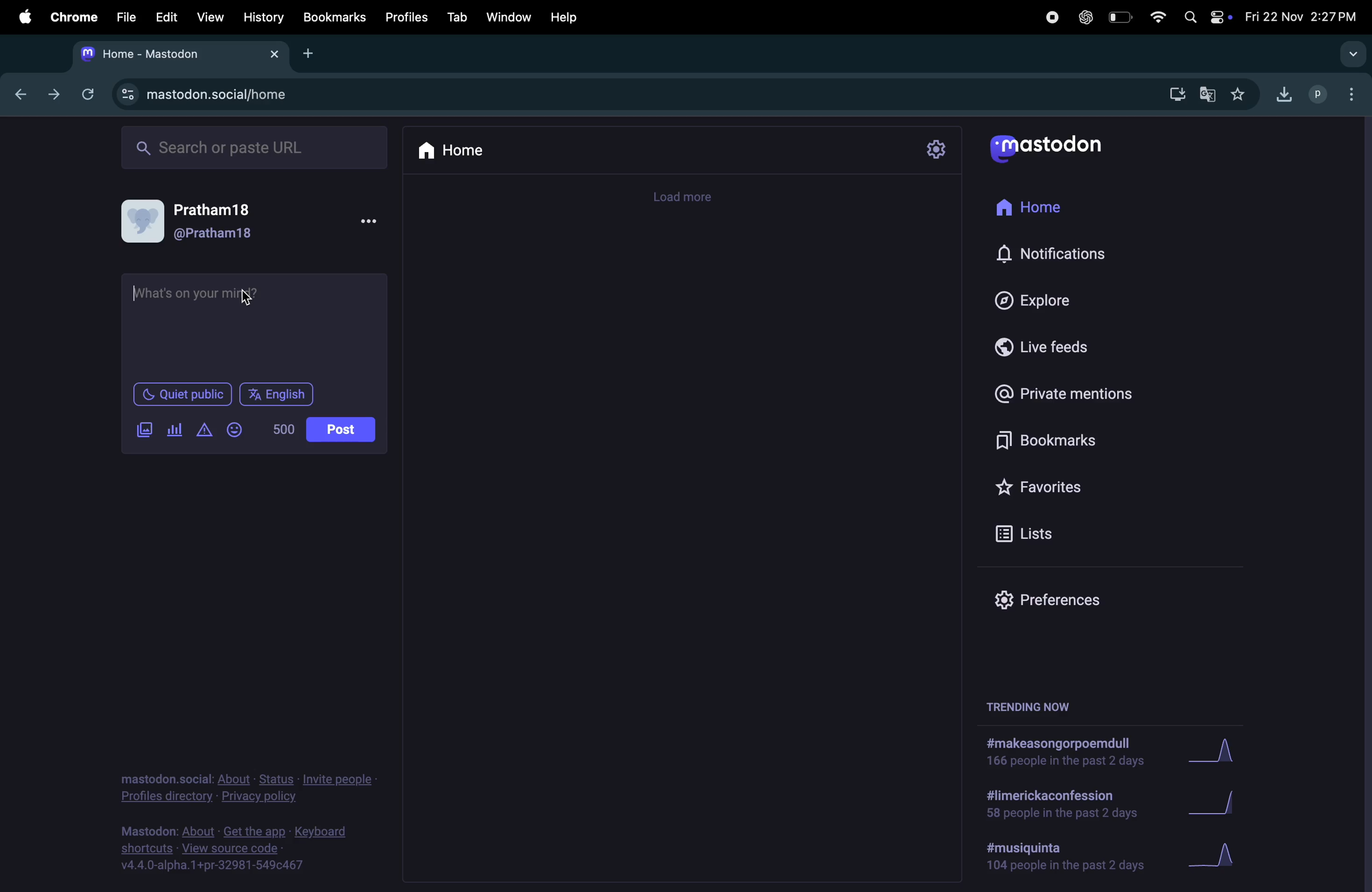 Image resolution: width=1372 pixels, height=892 pixels. What do you see at coordinates (1220, 856) in the screenshot?
I see `graph` at bounding box center [1220, 856].